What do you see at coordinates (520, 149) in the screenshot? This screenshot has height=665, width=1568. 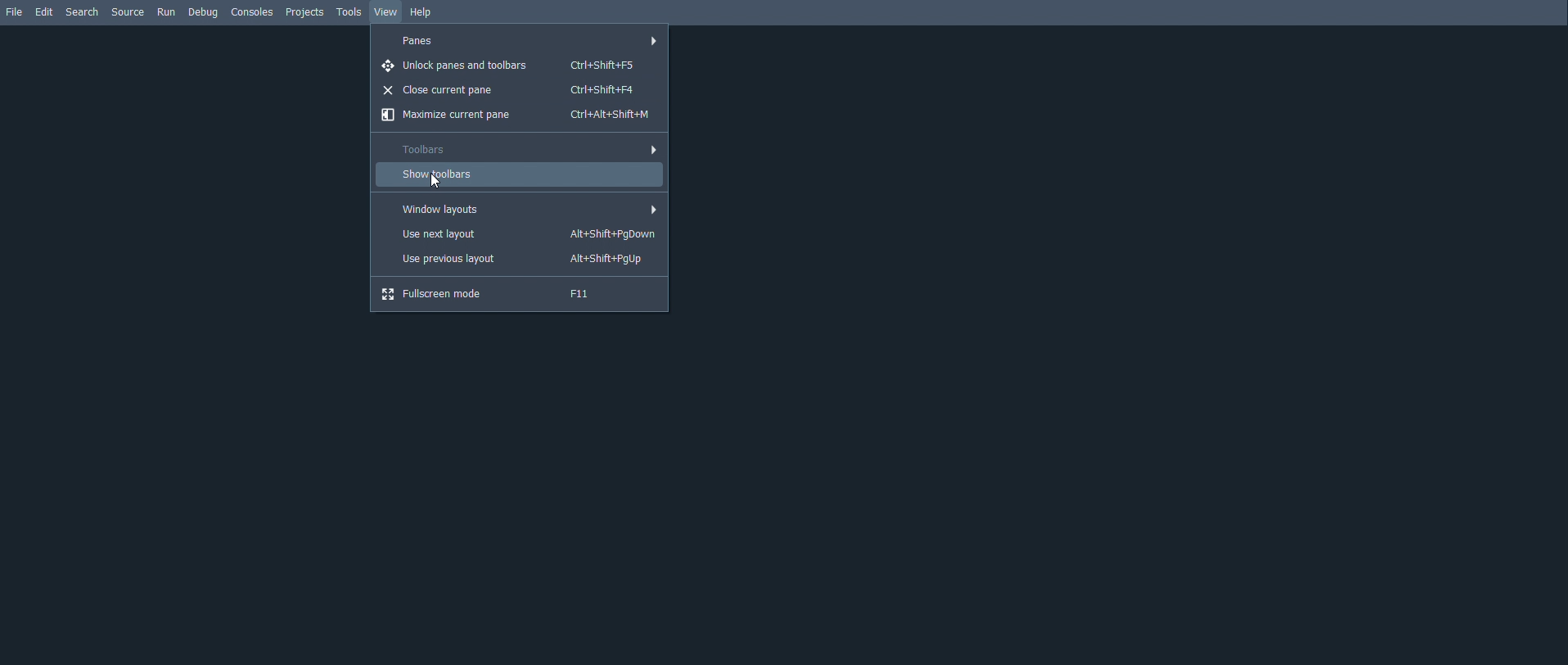 I see `Toolbars` at bounding box center [520, 149].